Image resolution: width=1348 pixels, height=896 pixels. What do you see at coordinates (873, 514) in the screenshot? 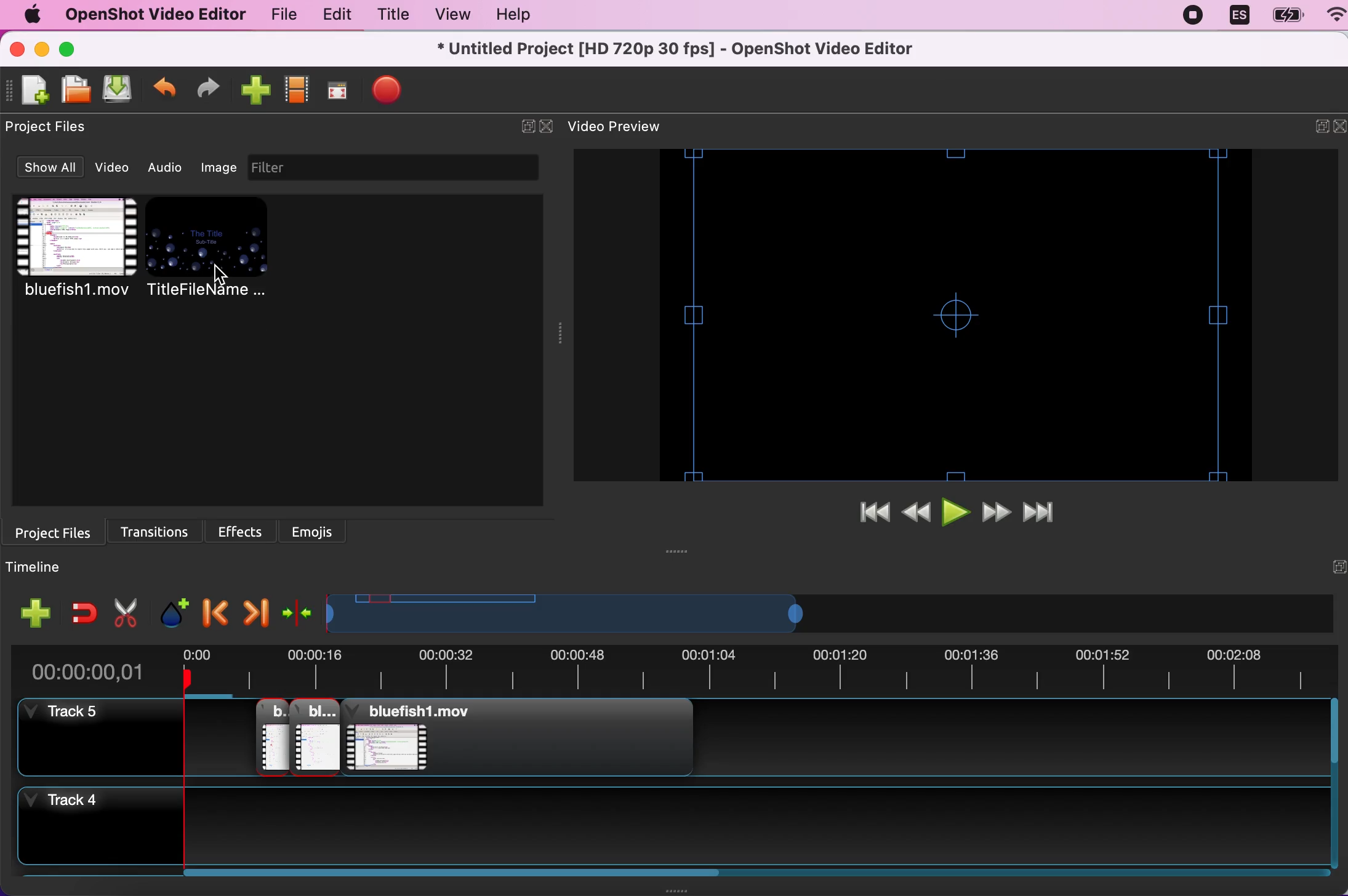
I see `jump to start` at bounding box center [873, 514].